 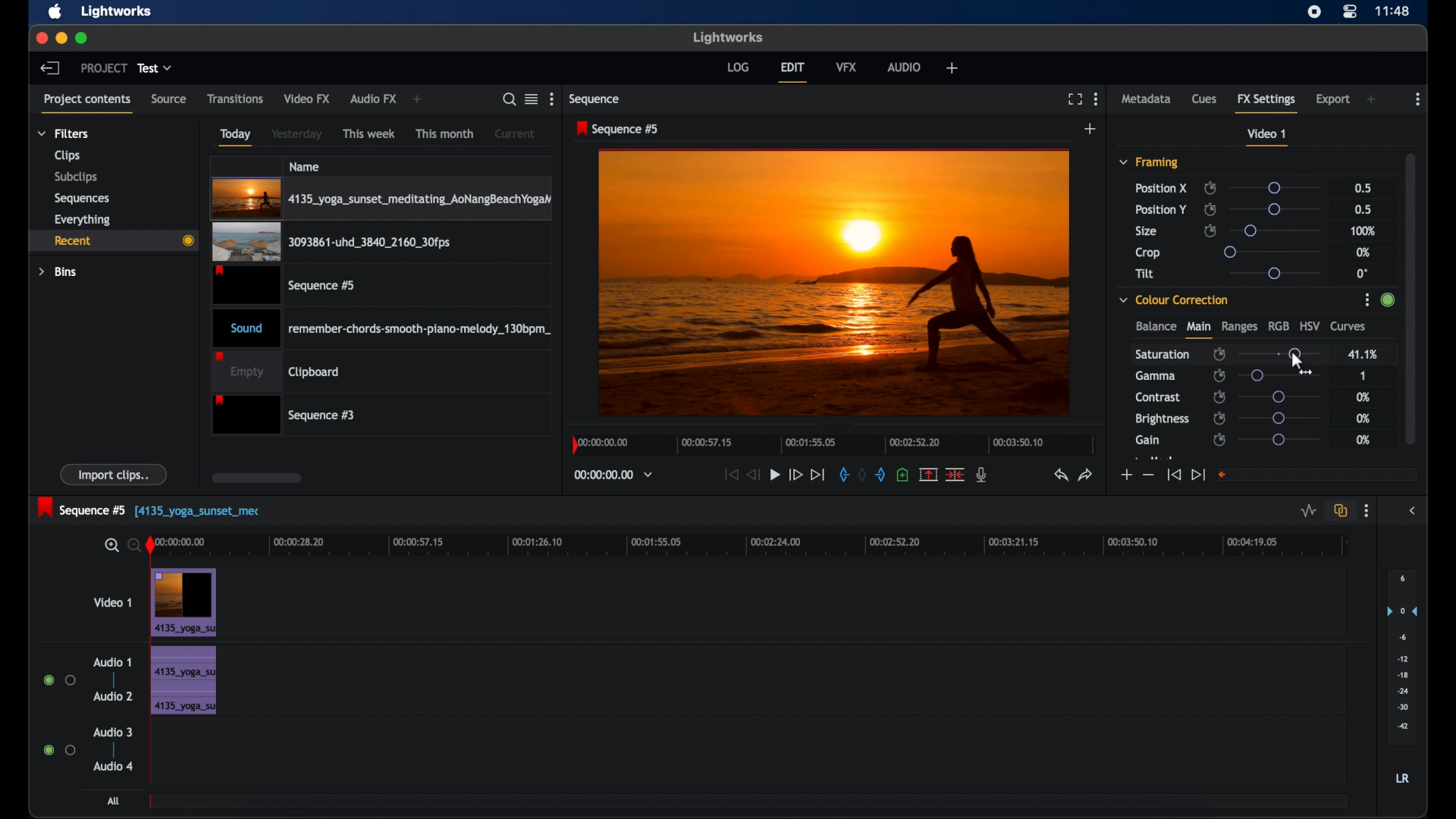 What do you see at coordinates (62, 133) in the screenshot?
I see `filters` at bounding box center [62, 133].